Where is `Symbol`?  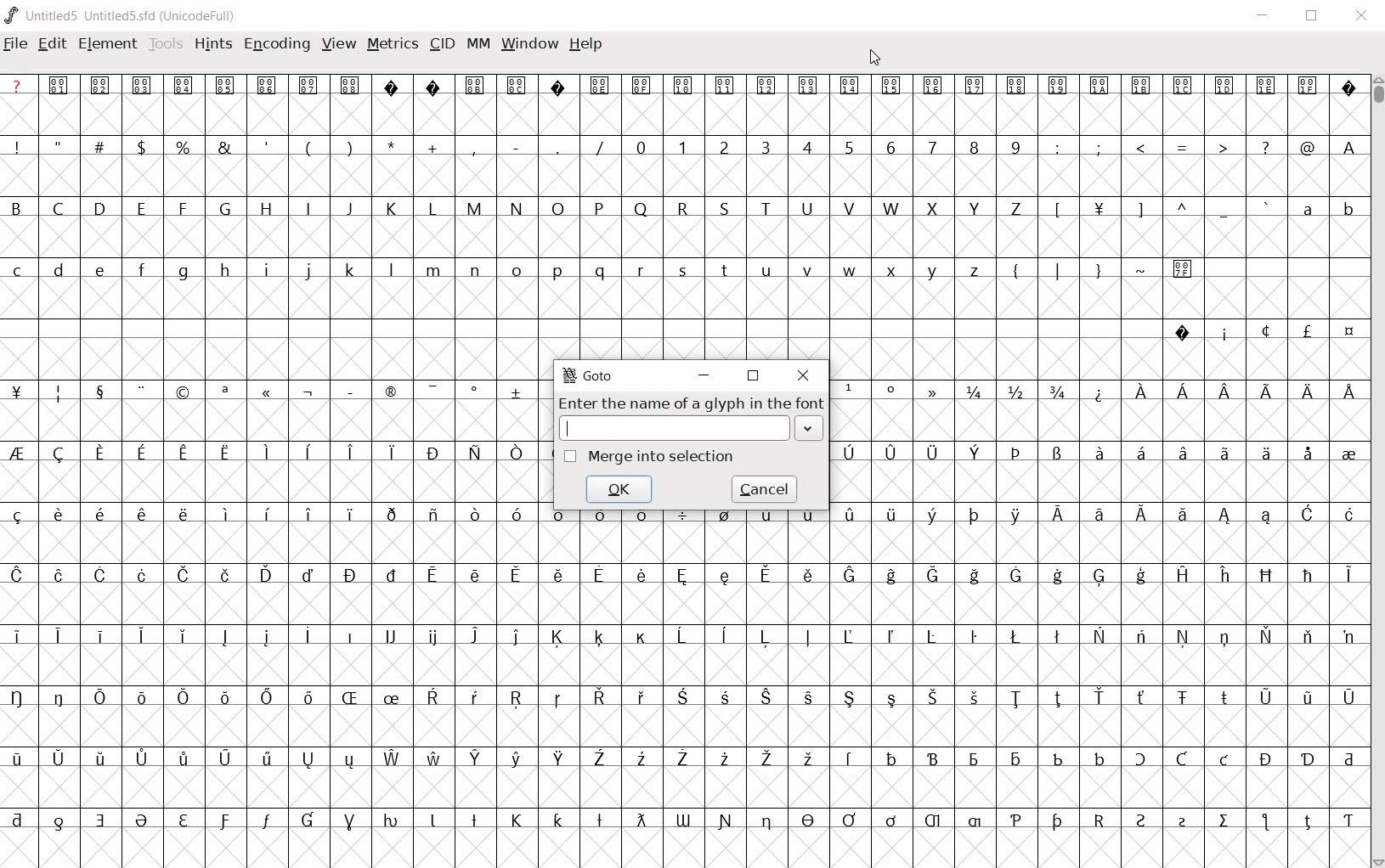 Symbol is located at coordinates (558, 759).